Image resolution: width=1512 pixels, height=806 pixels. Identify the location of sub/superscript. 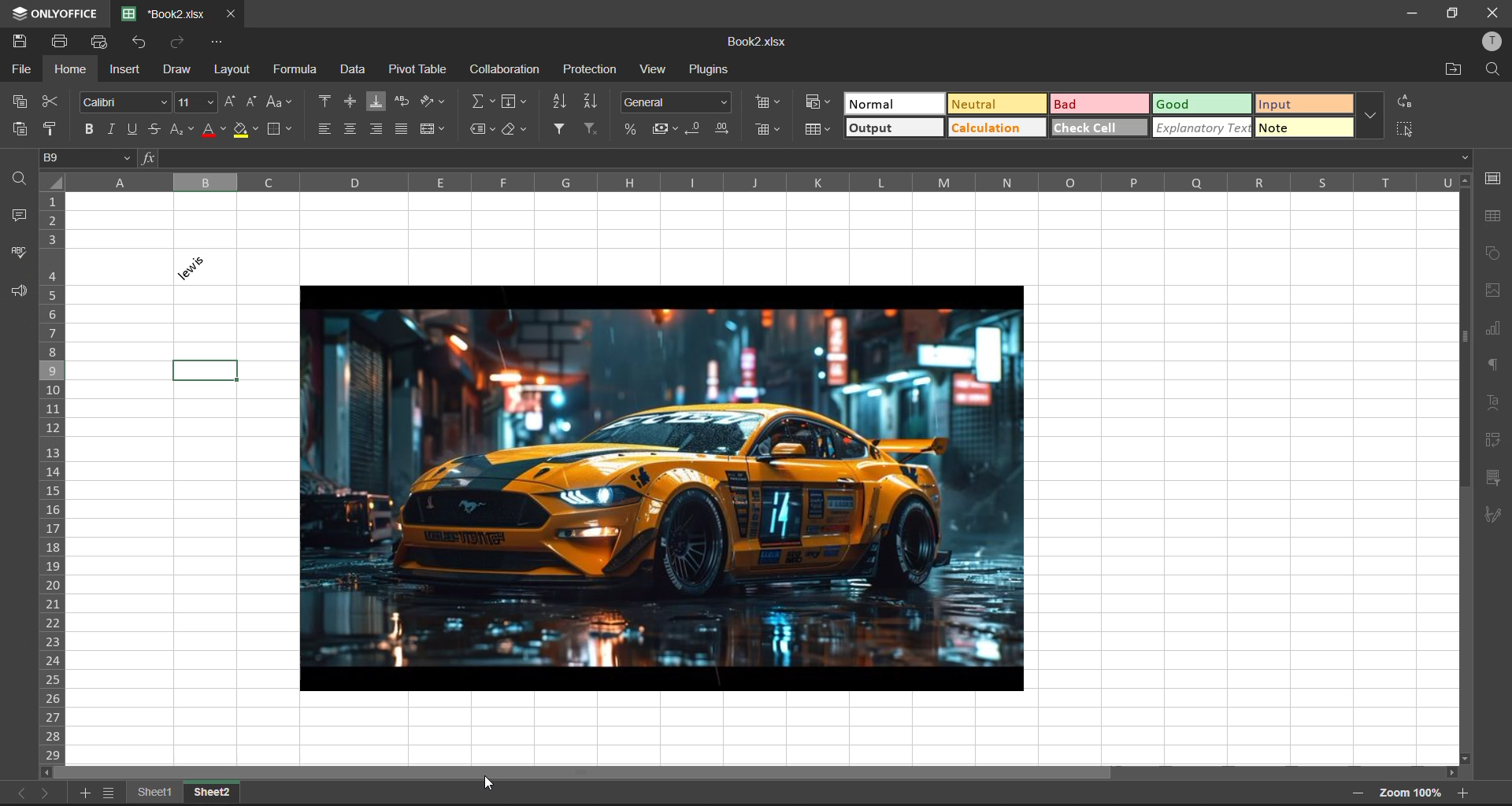
(182, 132).